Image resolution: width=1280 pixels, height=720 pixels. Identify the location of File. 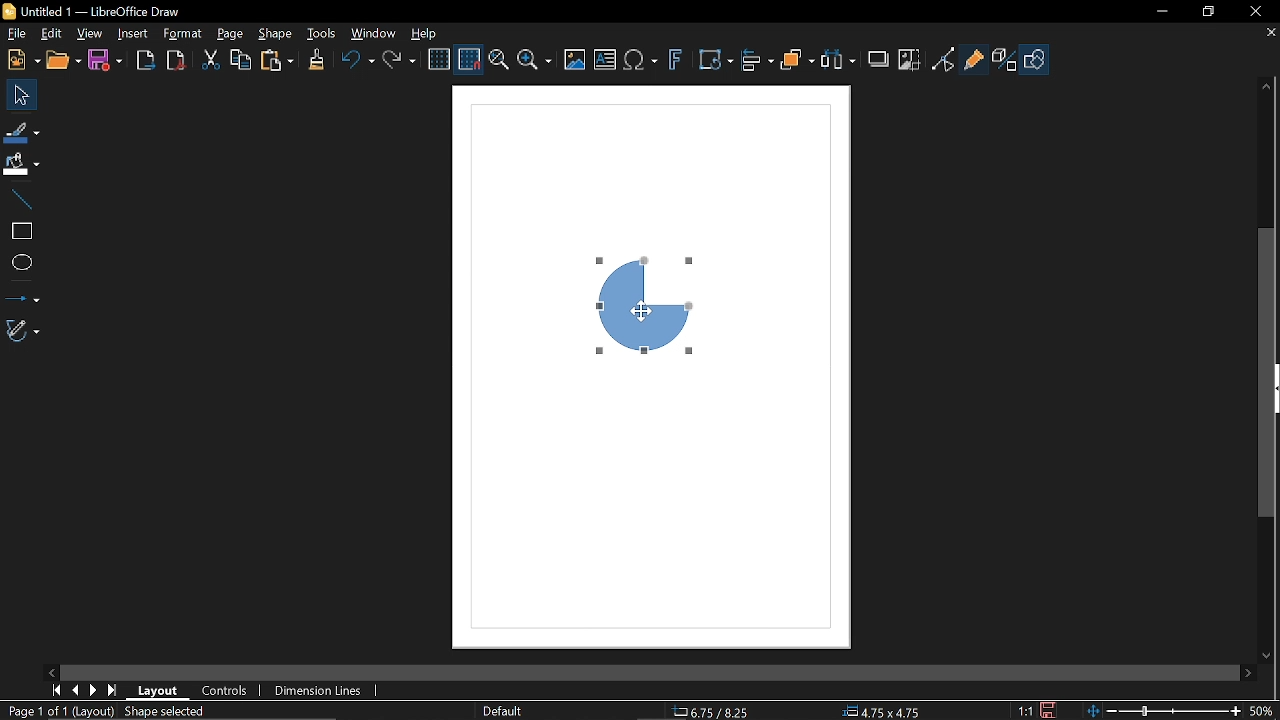
(14, 33).